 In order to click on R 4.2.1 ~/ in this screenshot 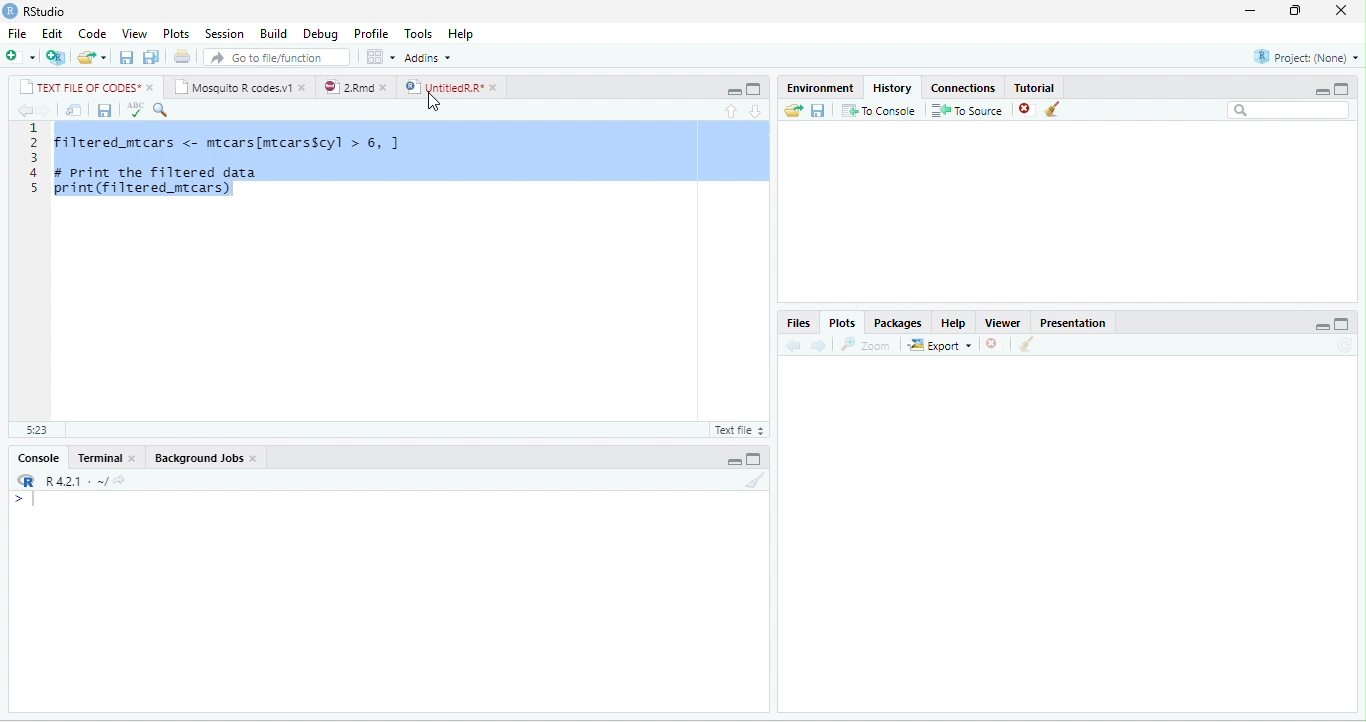, I will do `click(73, 481)`.